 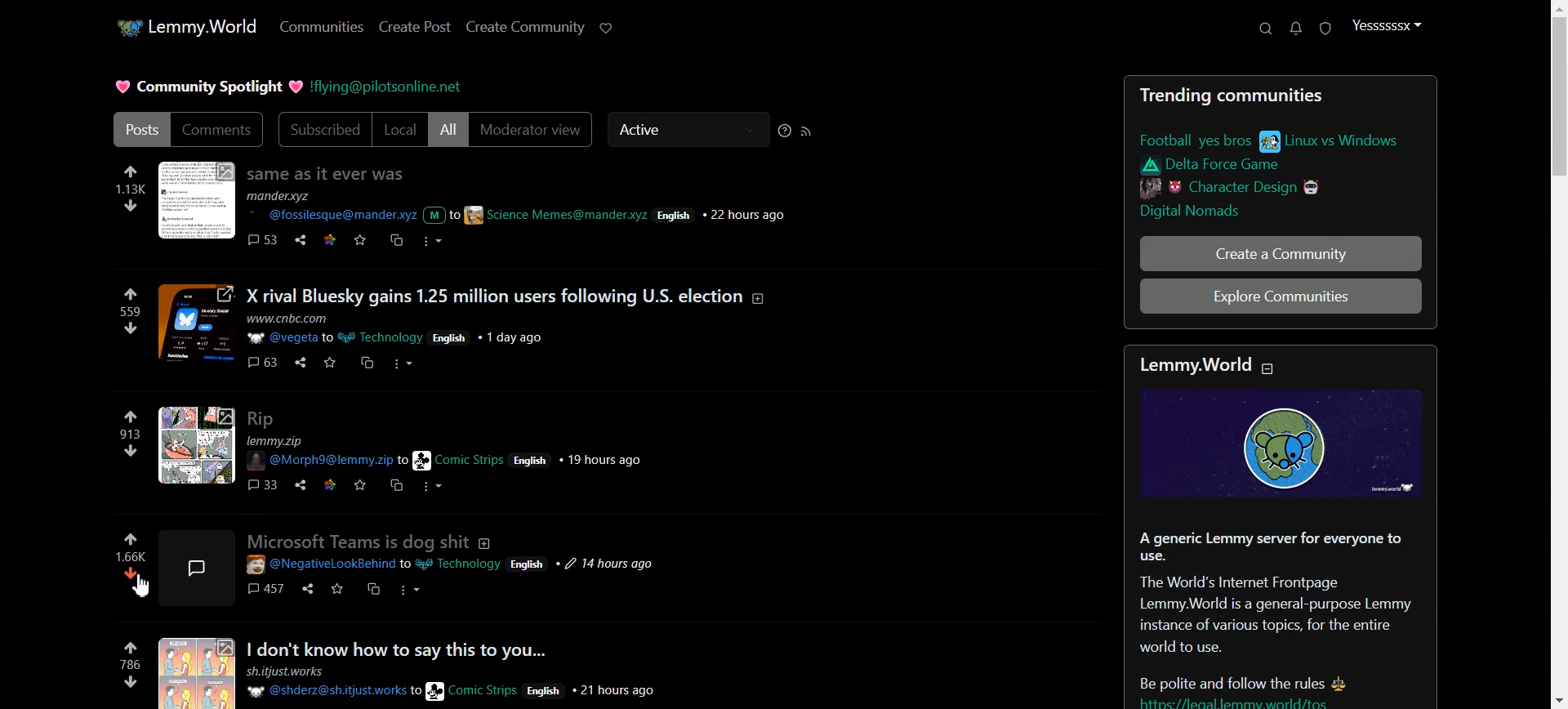 I want to click on post details, so click(x=456, y=566).